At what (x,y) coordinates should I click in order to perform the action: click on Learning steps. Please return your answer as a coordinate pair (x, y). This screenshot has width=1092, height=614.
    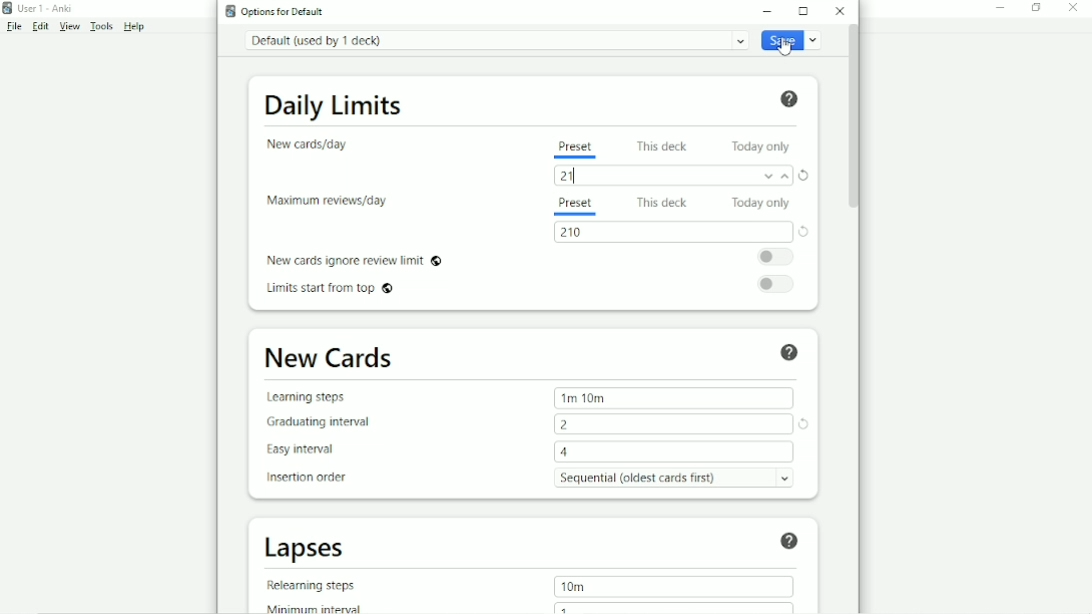
    Looking at the image, I should click on (310, 399).